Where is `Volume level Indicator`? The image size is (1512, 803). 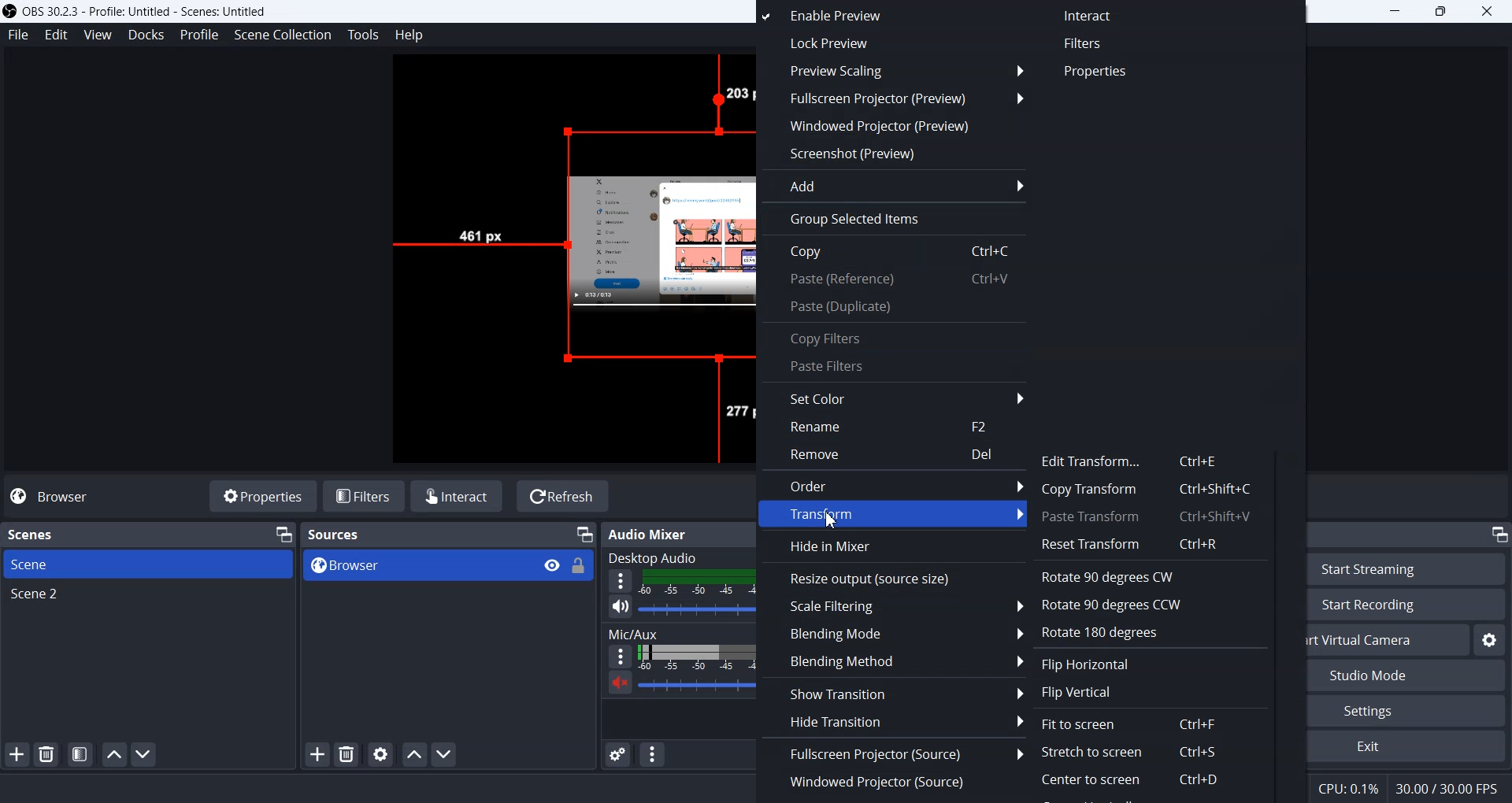 Volume level Indicator is located at coordinates (698, 583).